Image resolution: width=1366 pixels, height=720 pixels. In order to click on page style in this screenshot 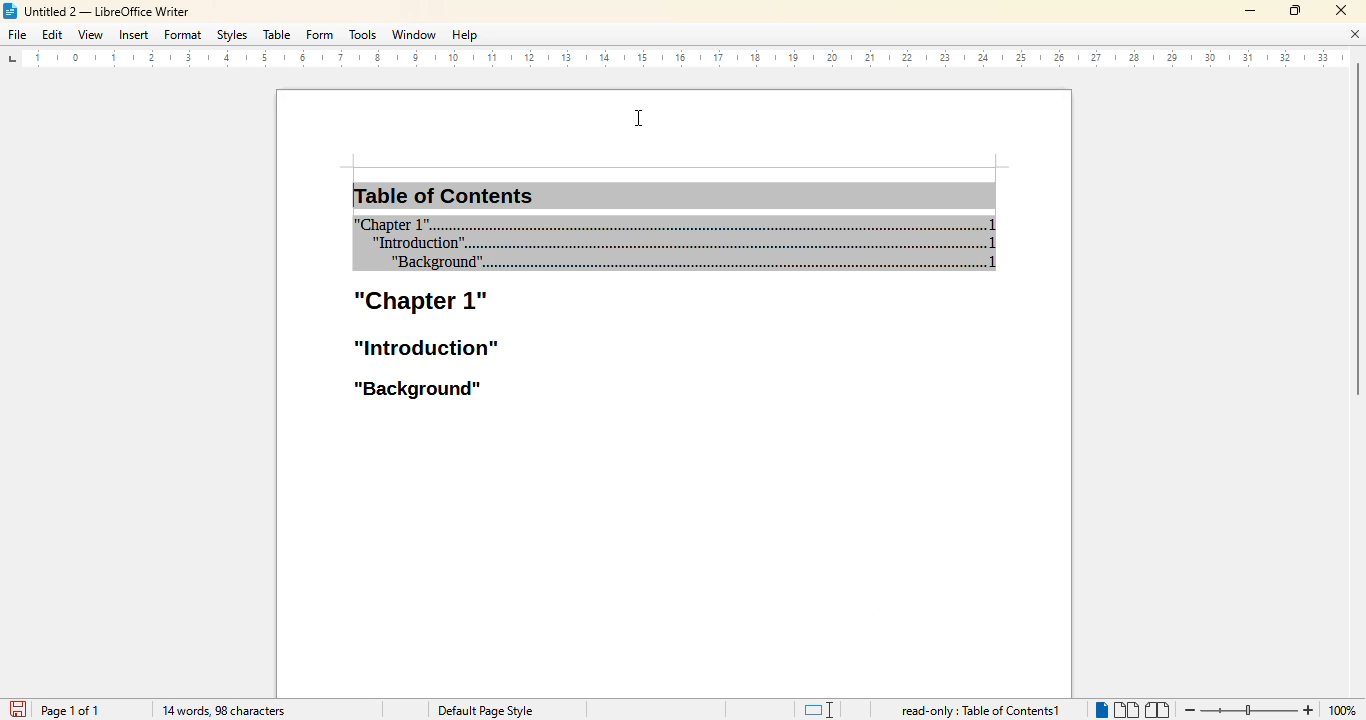, I will do `click(484, 711)`.